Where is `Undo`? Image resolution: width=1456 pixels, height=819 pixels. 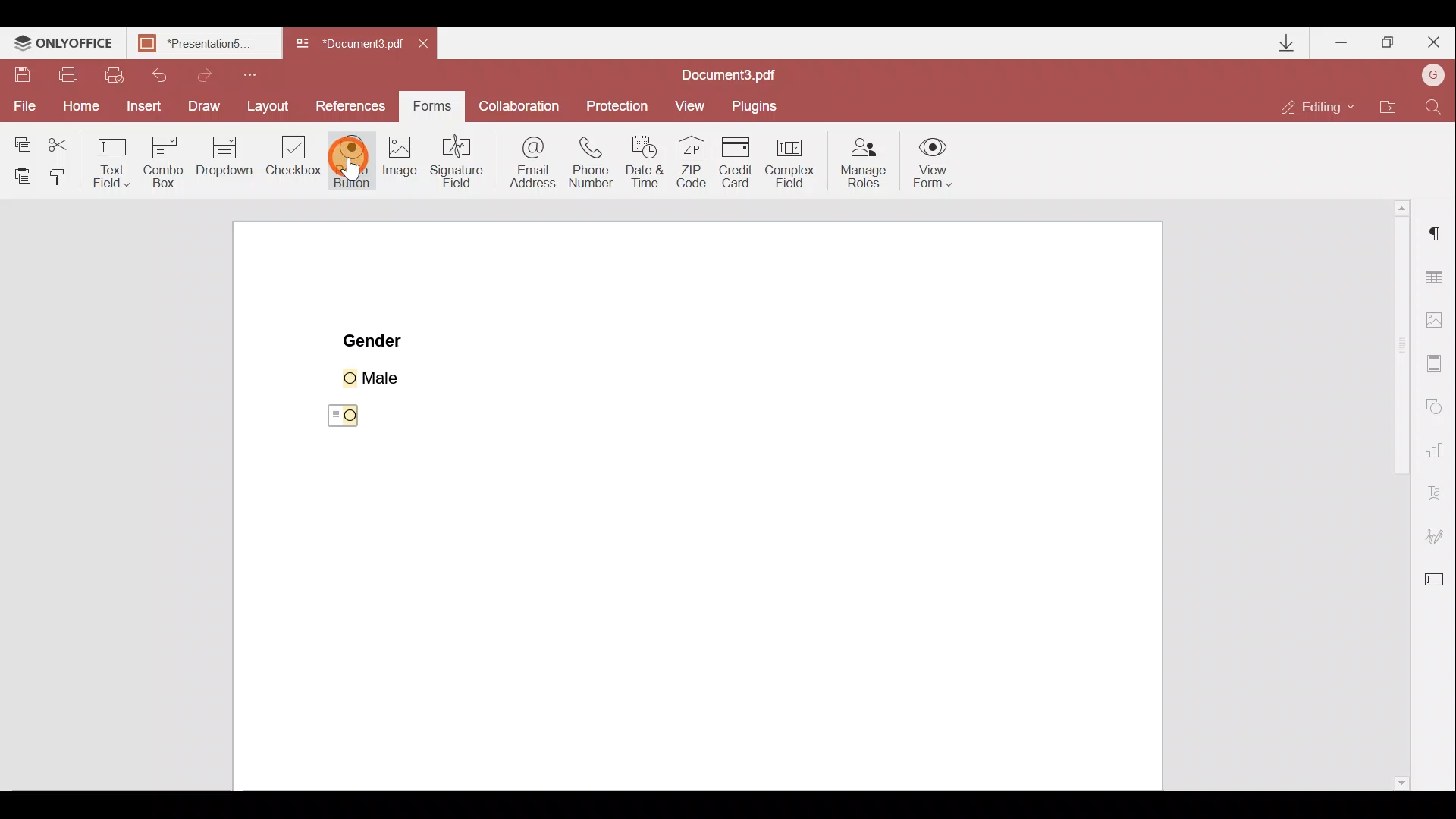 Undo is located at coordinates (167, 74).